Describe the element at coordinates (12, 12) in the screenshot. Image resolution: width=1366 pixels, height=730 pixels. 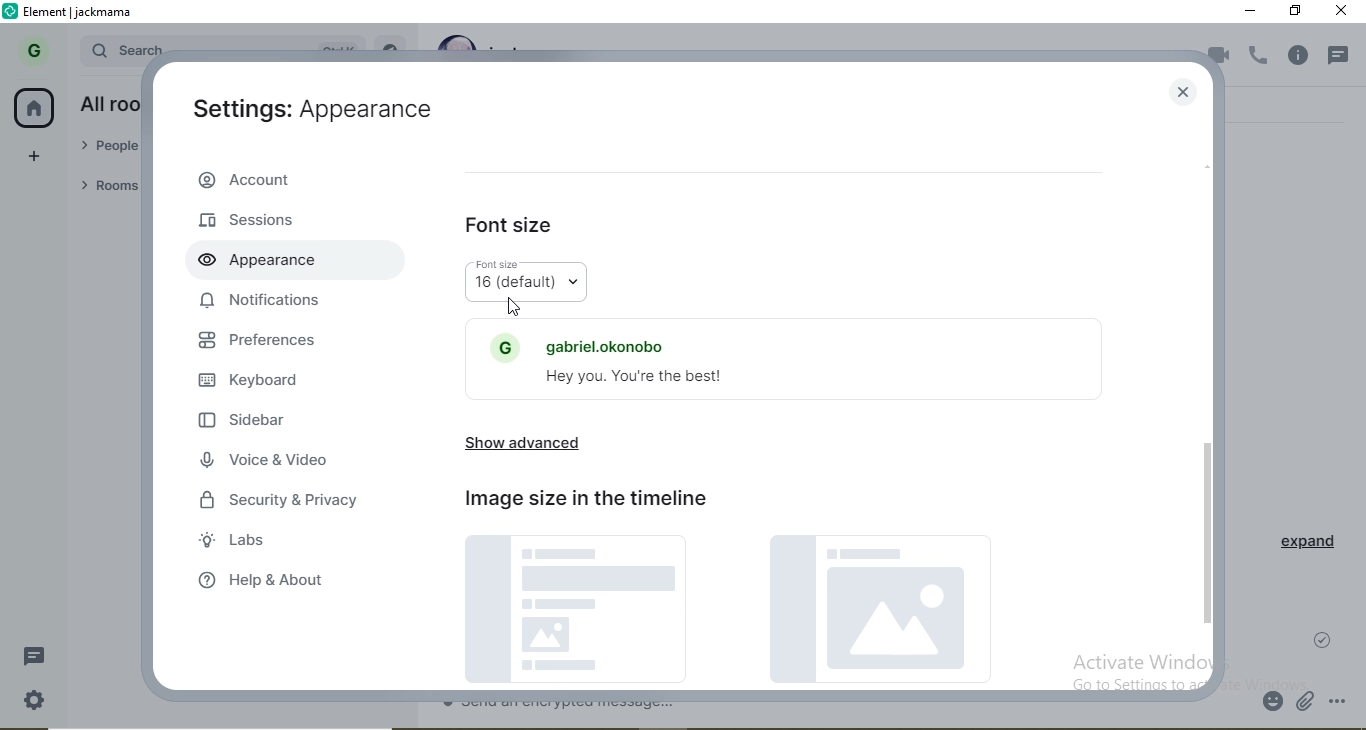
I see `logo` at that location.